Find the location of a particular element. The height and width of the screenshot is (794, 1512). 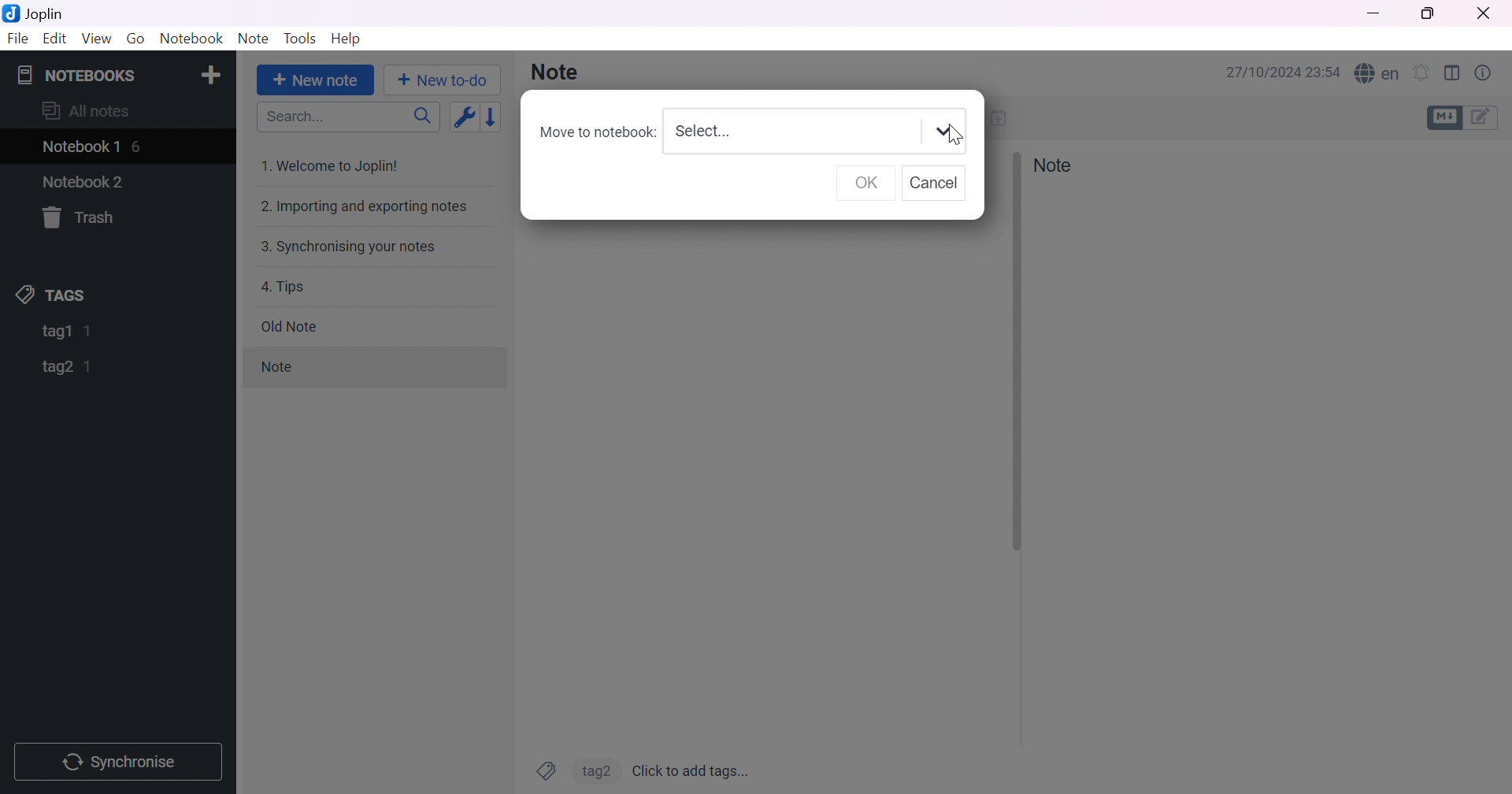

Tools is located at coordinates (298, 38).